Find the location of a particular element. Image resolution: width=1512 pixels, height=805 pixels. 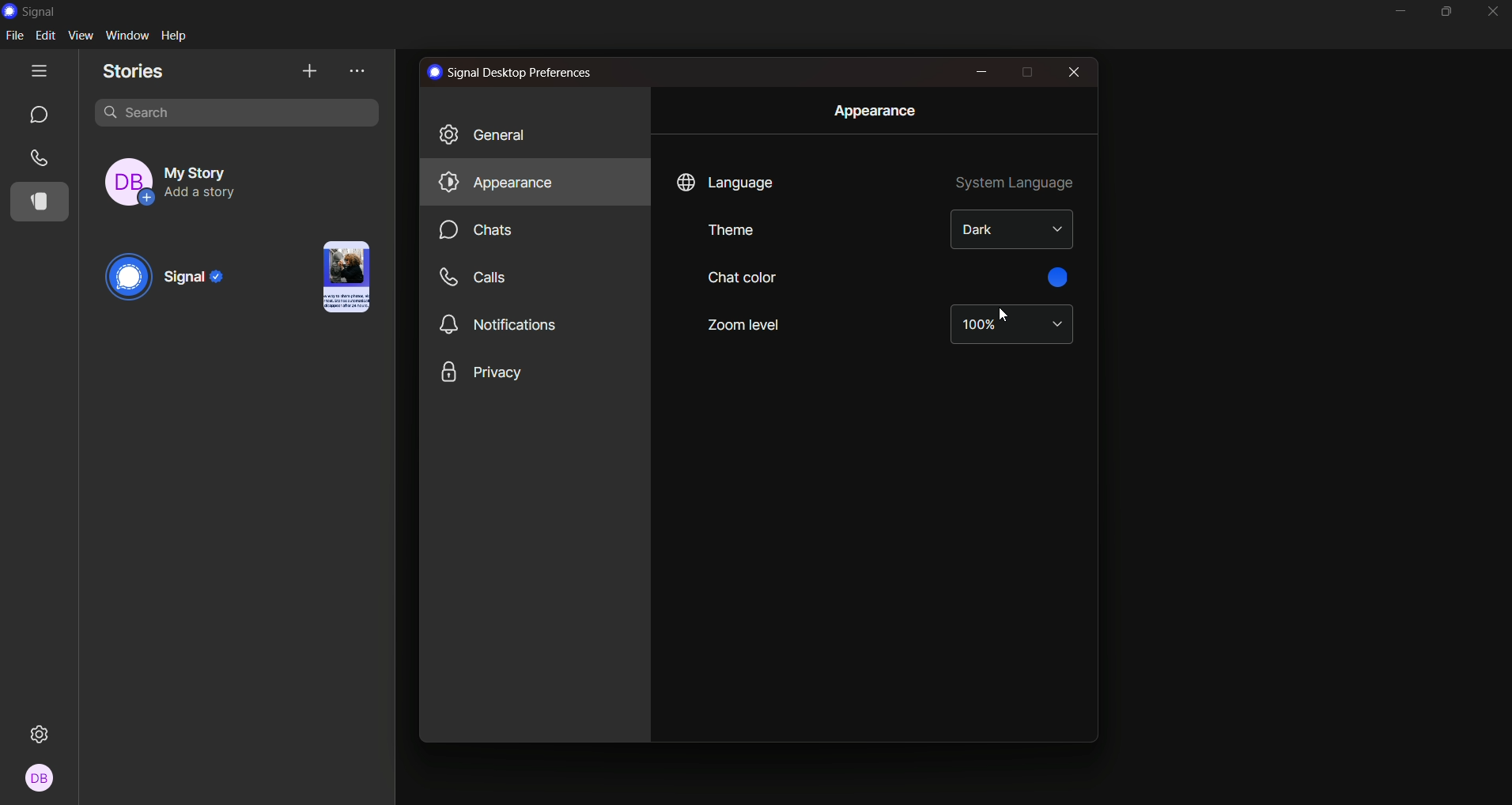

options is located at coordinates (360, 72).